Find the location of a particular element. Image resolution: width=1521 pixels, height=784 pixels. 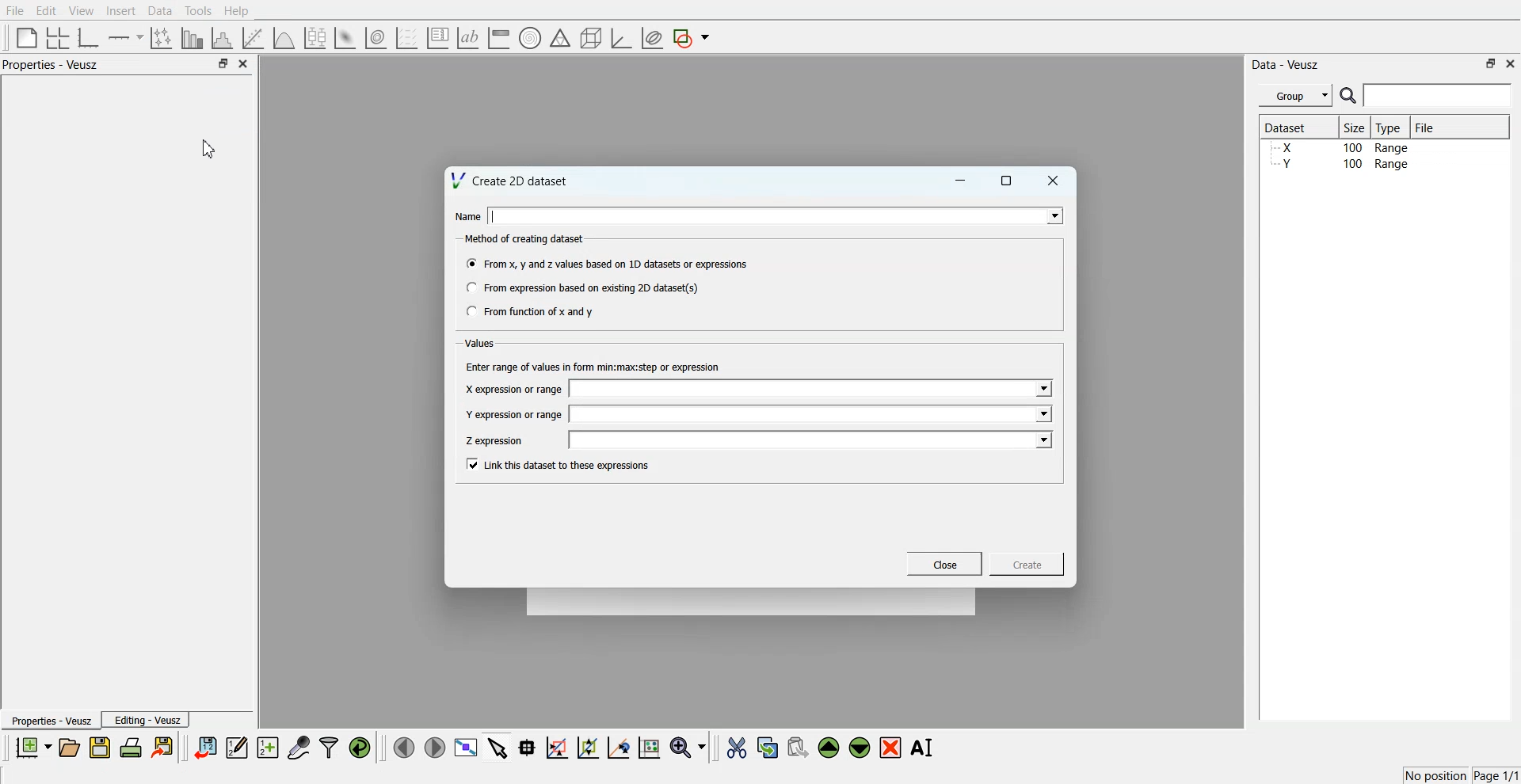

Reload linked dataset is located at coordinates (360, 748).